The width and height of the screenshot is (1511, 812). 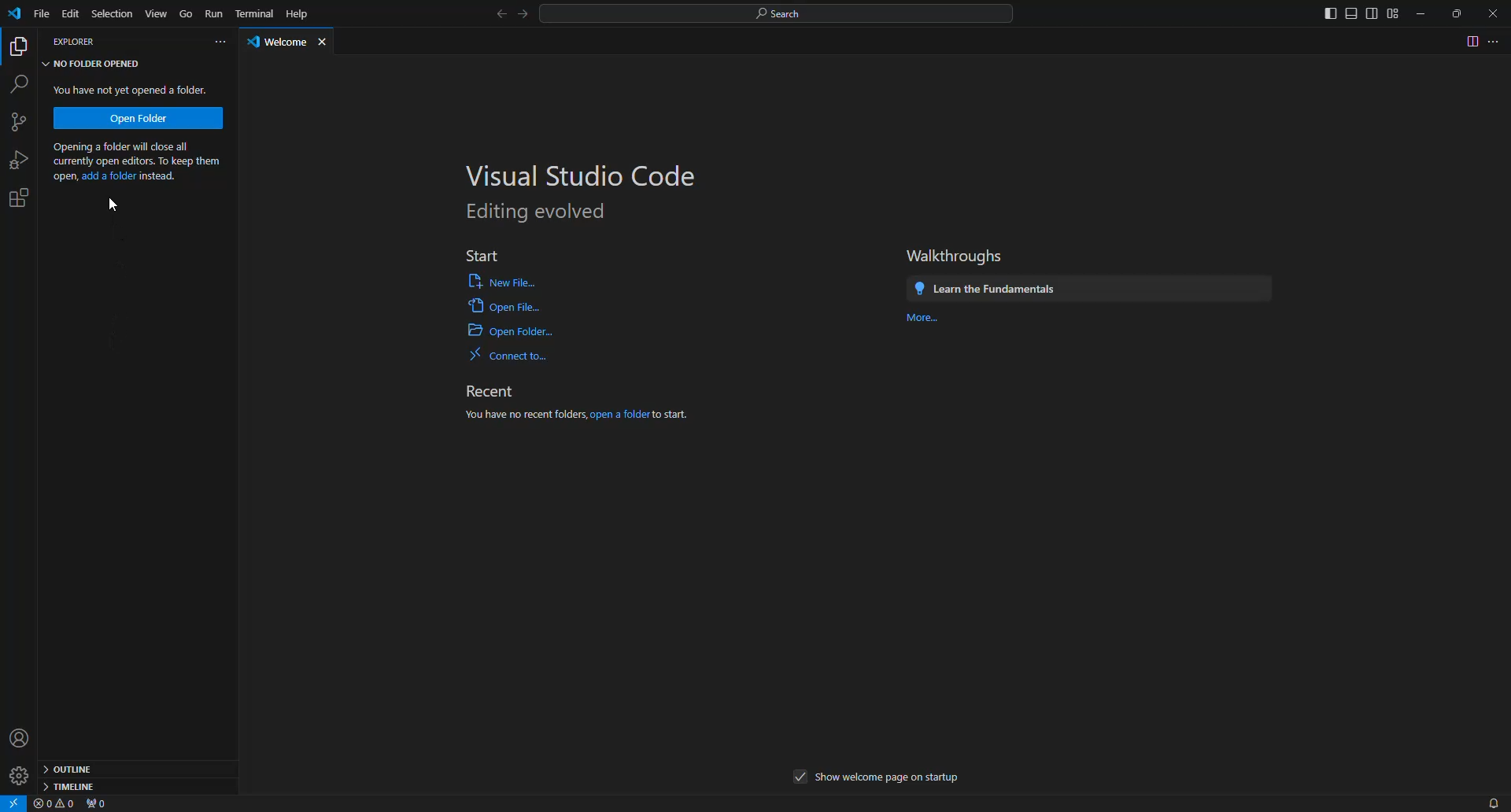 What do you see at coordinates (156, 12) in the screenshot?
I see `view` at bounding box center [156, 12].